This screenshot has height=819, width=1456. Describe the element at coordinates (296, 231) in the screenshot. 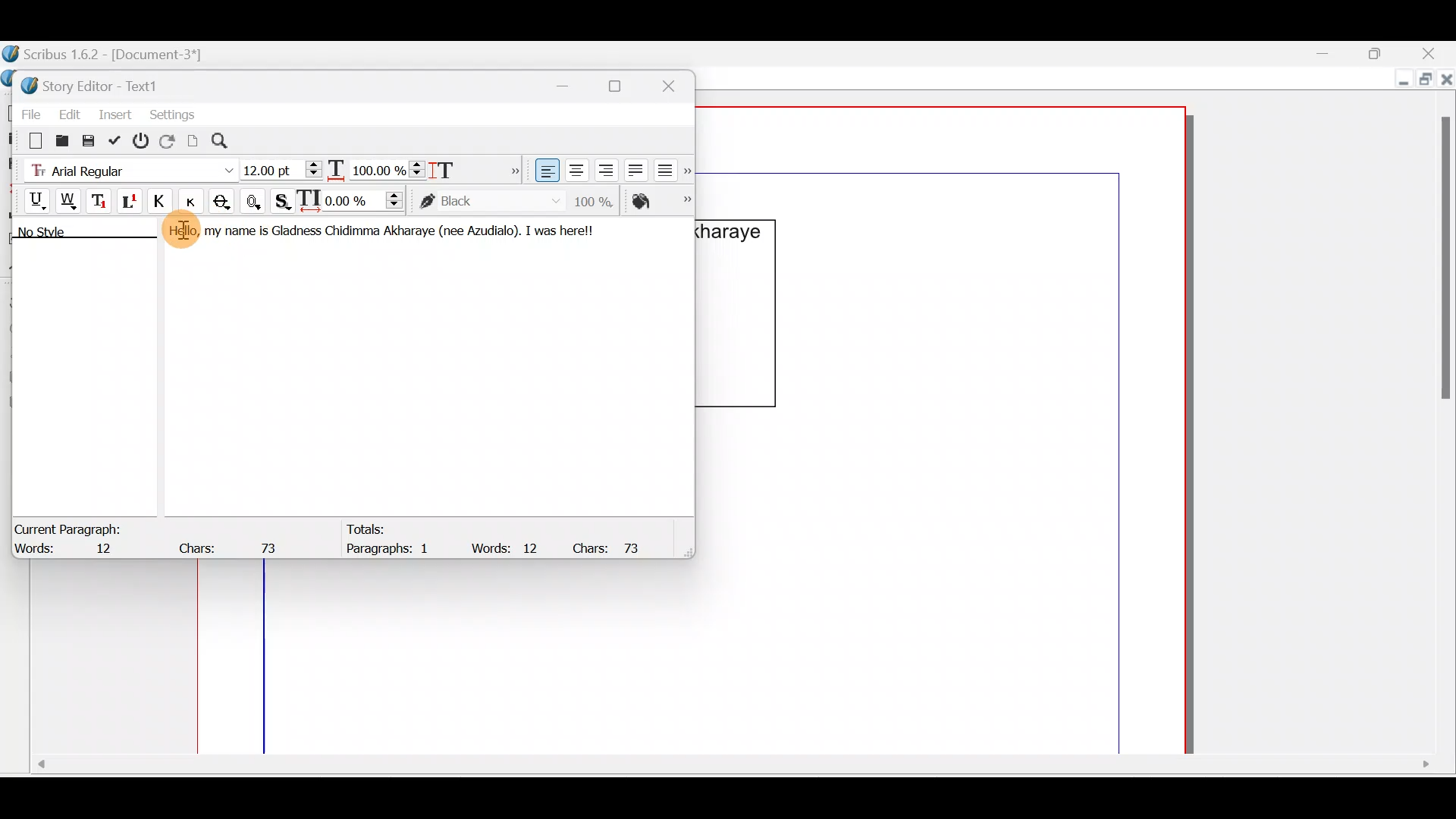

I see `Gladness` at that location.